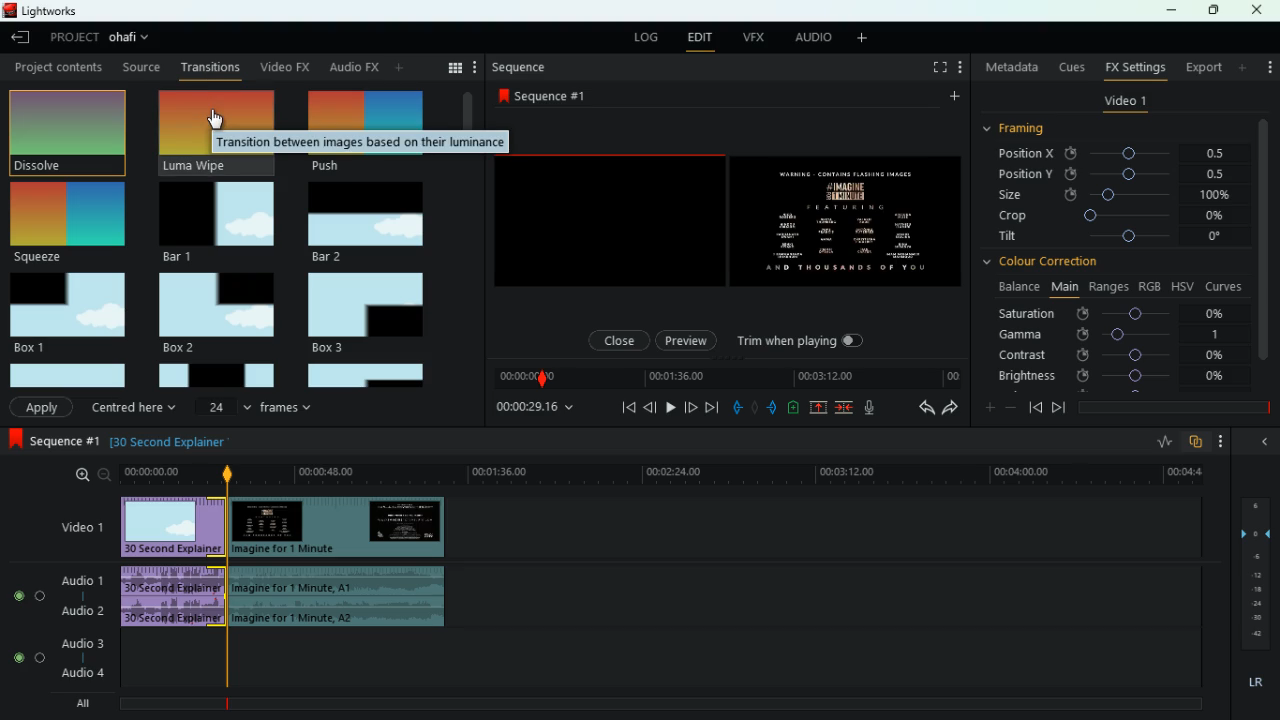 Image resolution: width=1280 pixels, height=720 pixels. I want to click on pull, so click(737, 408).